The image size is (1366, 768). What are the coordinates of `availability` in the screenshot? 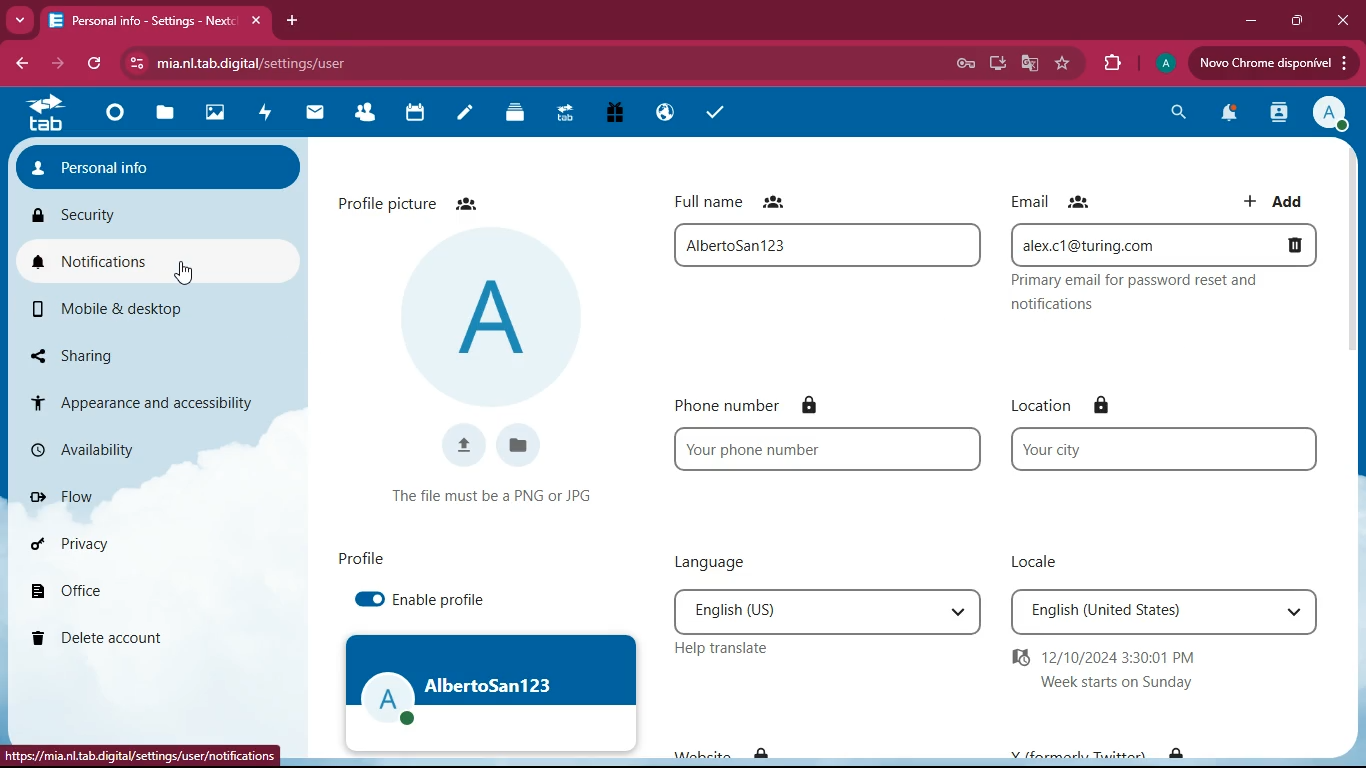 It's located at (85, 450).